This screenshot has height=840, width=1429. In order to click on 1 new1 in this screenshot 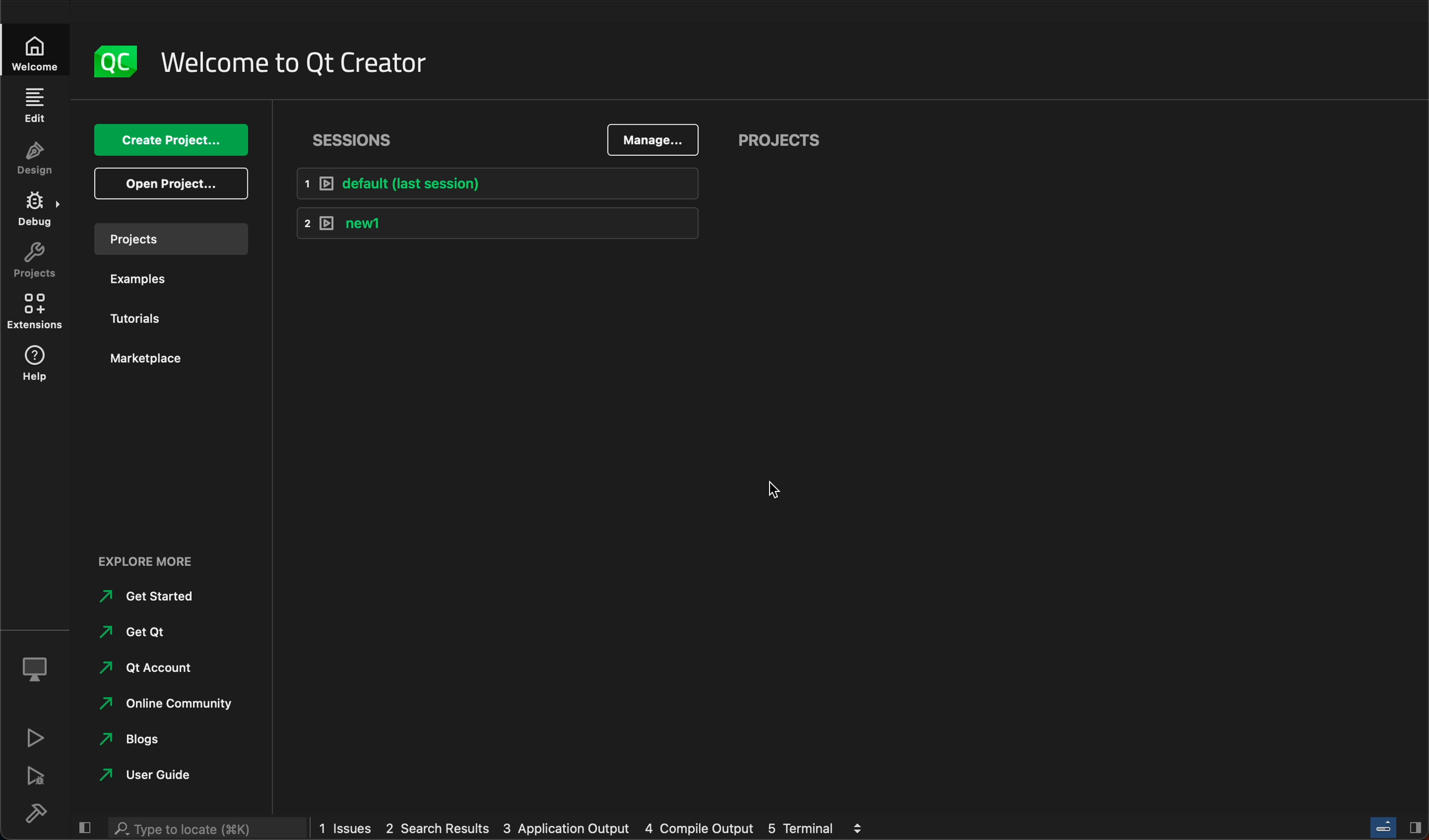, I will do `click(500, 223)`.